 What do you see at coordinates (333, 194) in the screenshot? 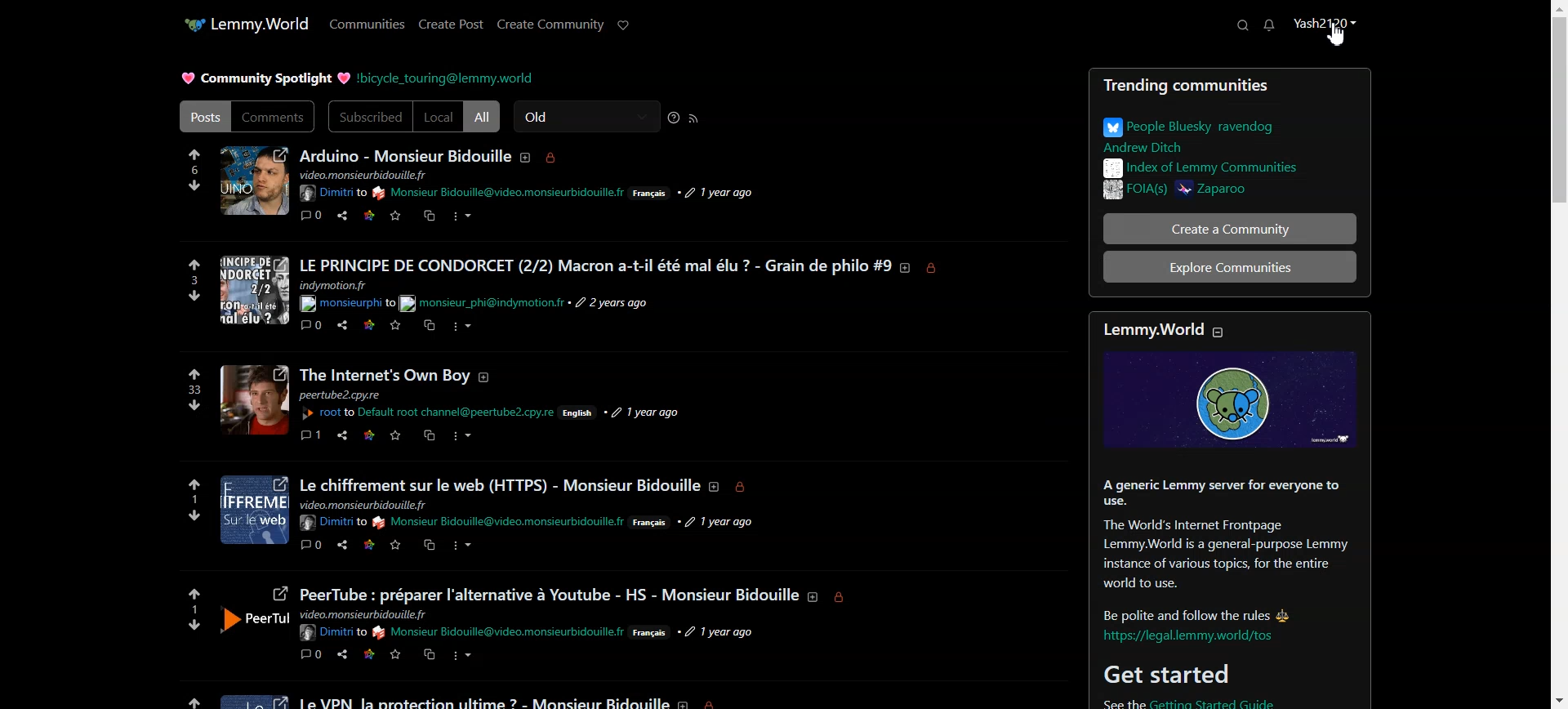
I see `Hyperlink` at bounding box center [333, 194].